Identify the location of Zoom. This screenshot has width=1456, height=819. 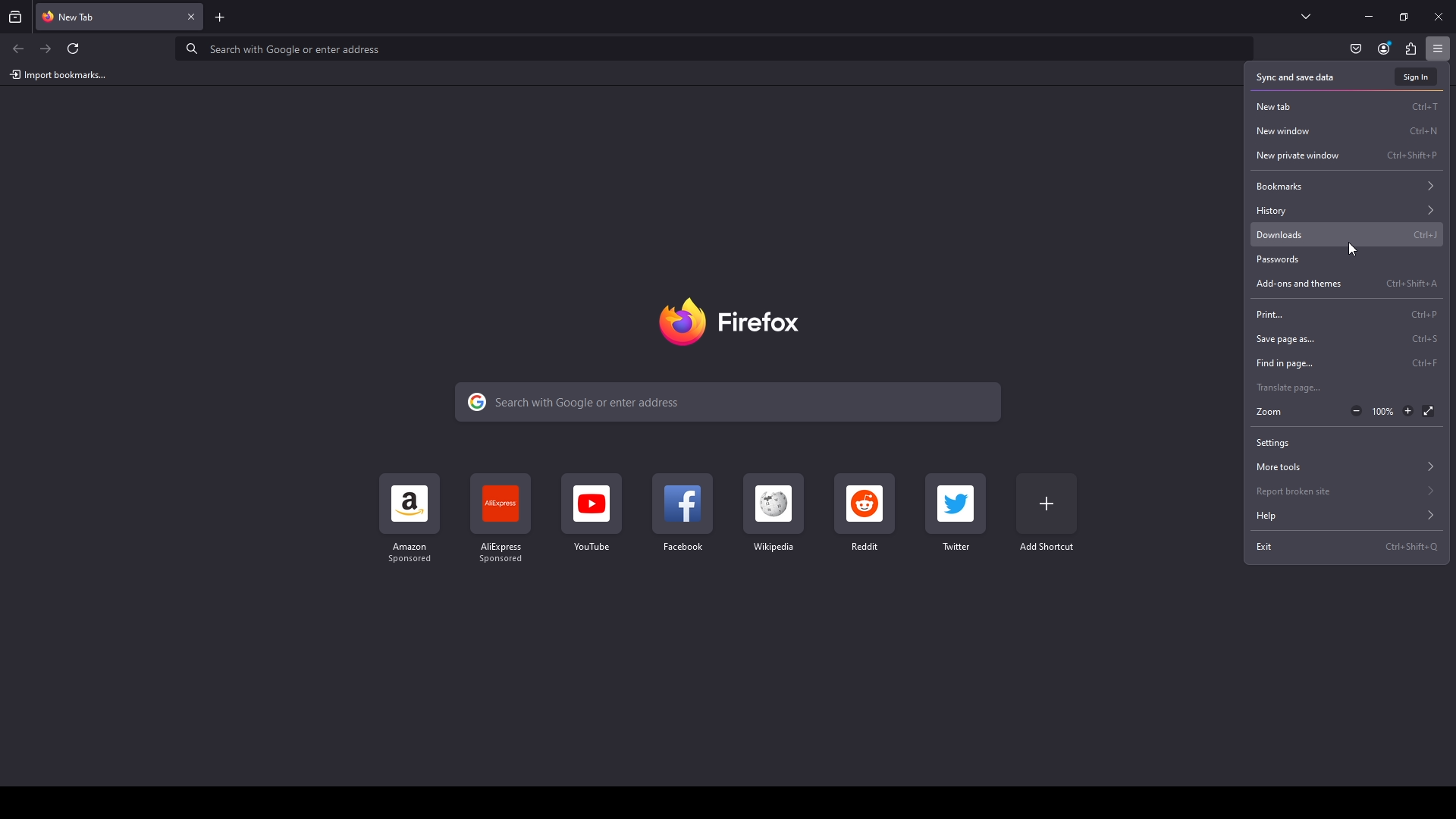
(1294, 413).